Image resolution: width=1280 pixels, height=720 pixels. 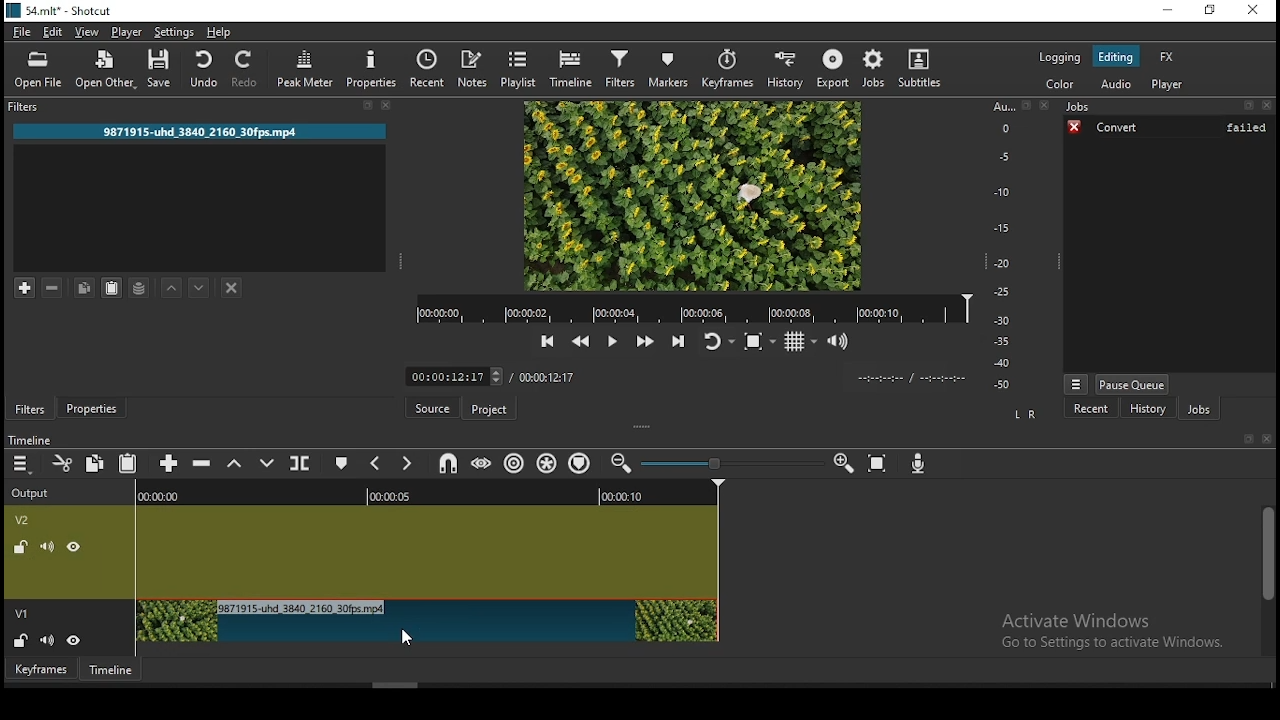 What do you see at coordinates (130, 460) in the screenshot?
I see `paste` at bounding box center [130, 460].